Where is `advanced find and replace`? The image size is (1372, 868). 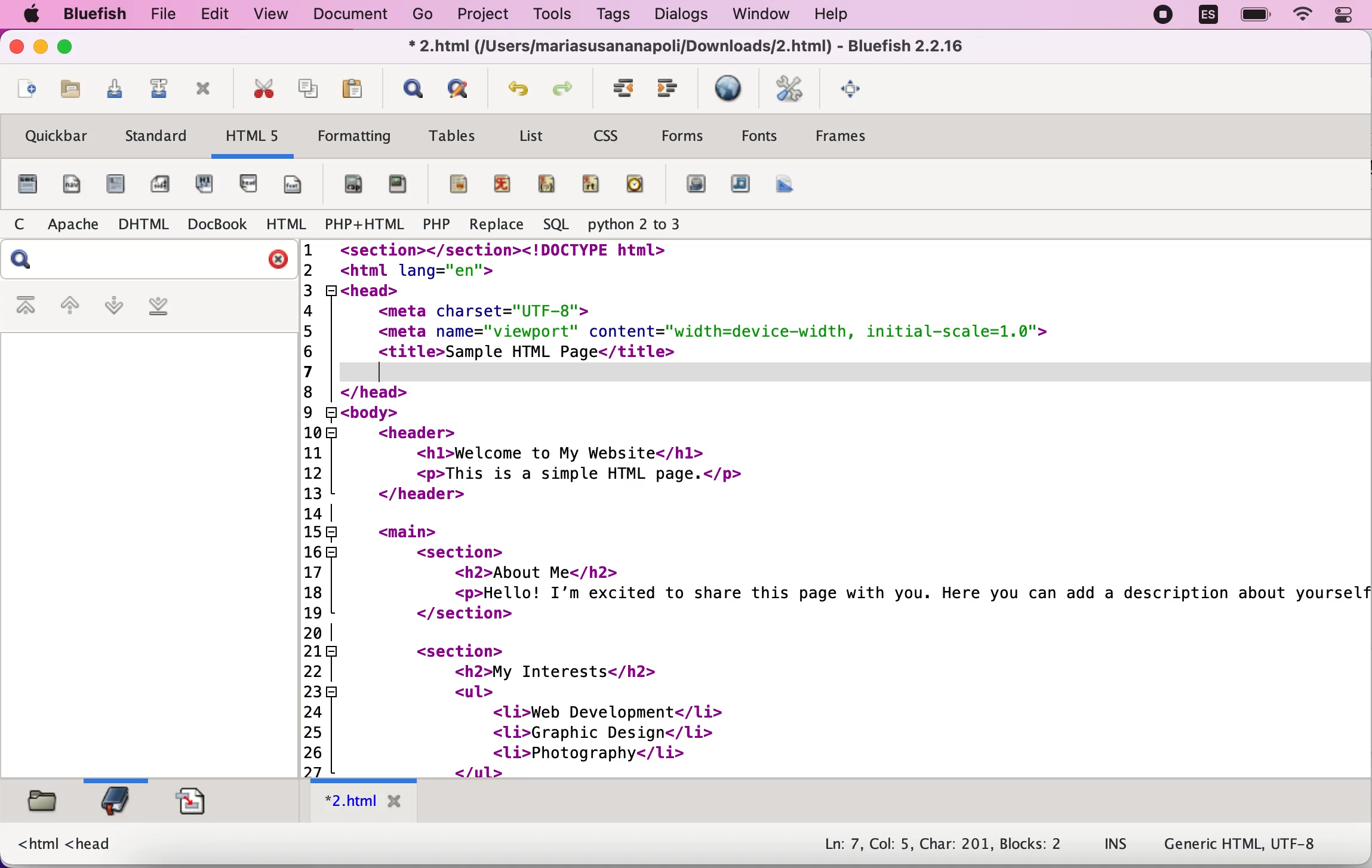 advanced find and replace is located at coordinates (463, 88).